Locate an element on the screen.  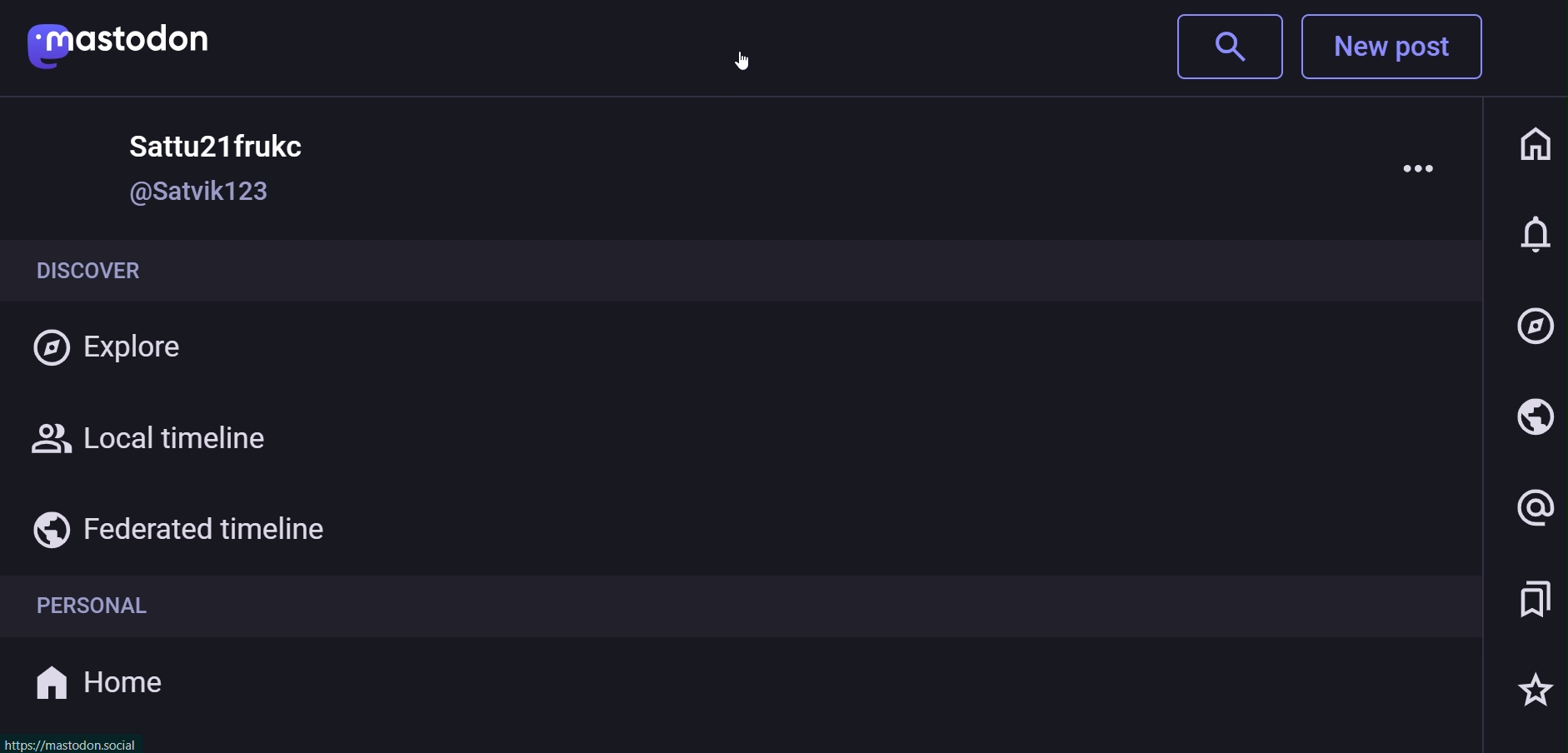
bookmark is located at coordinates (1531, 601).